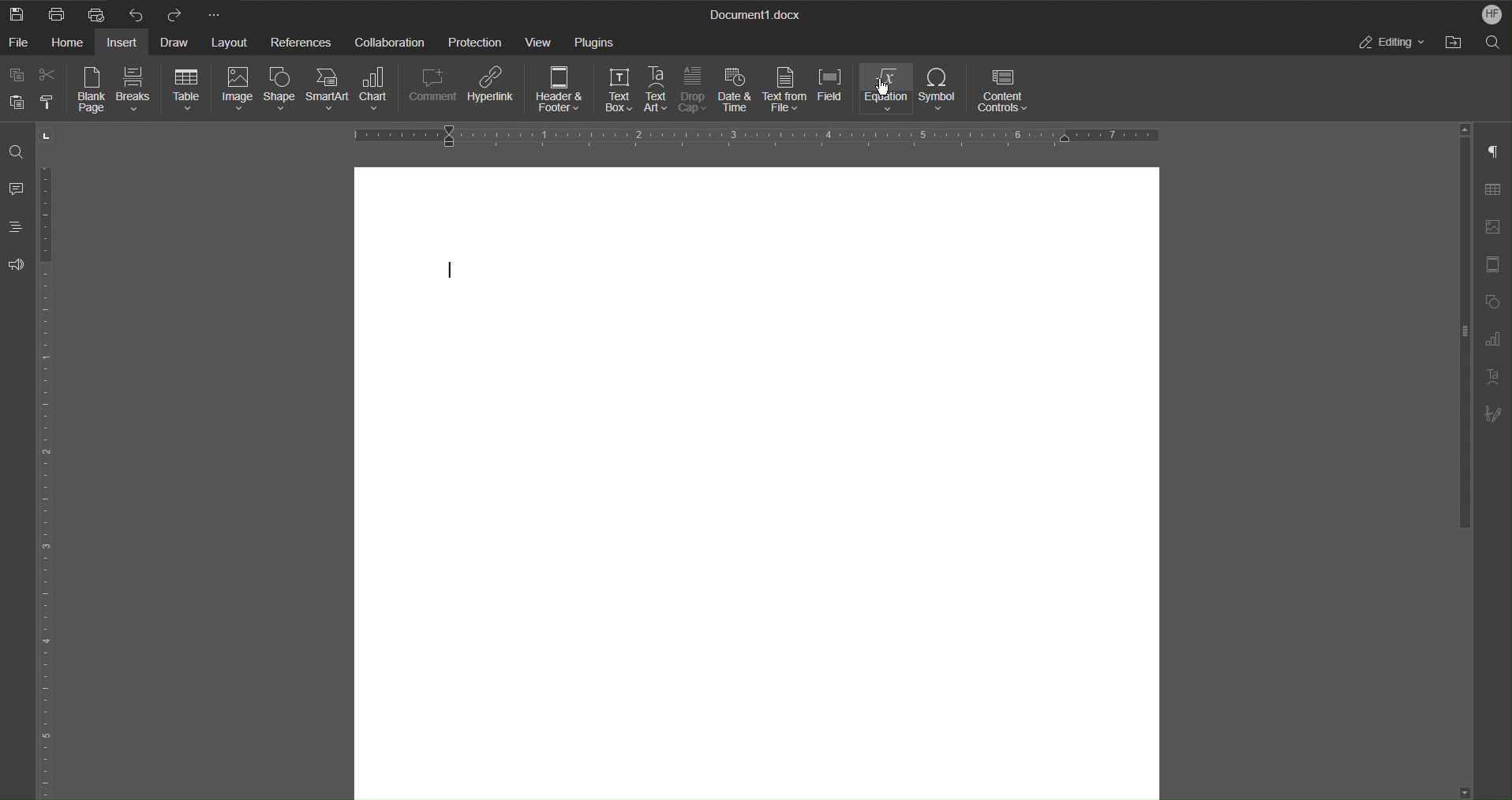  Describe the element at coordinates (1387, 44) in the screenshot. I see `Editing` at that location.